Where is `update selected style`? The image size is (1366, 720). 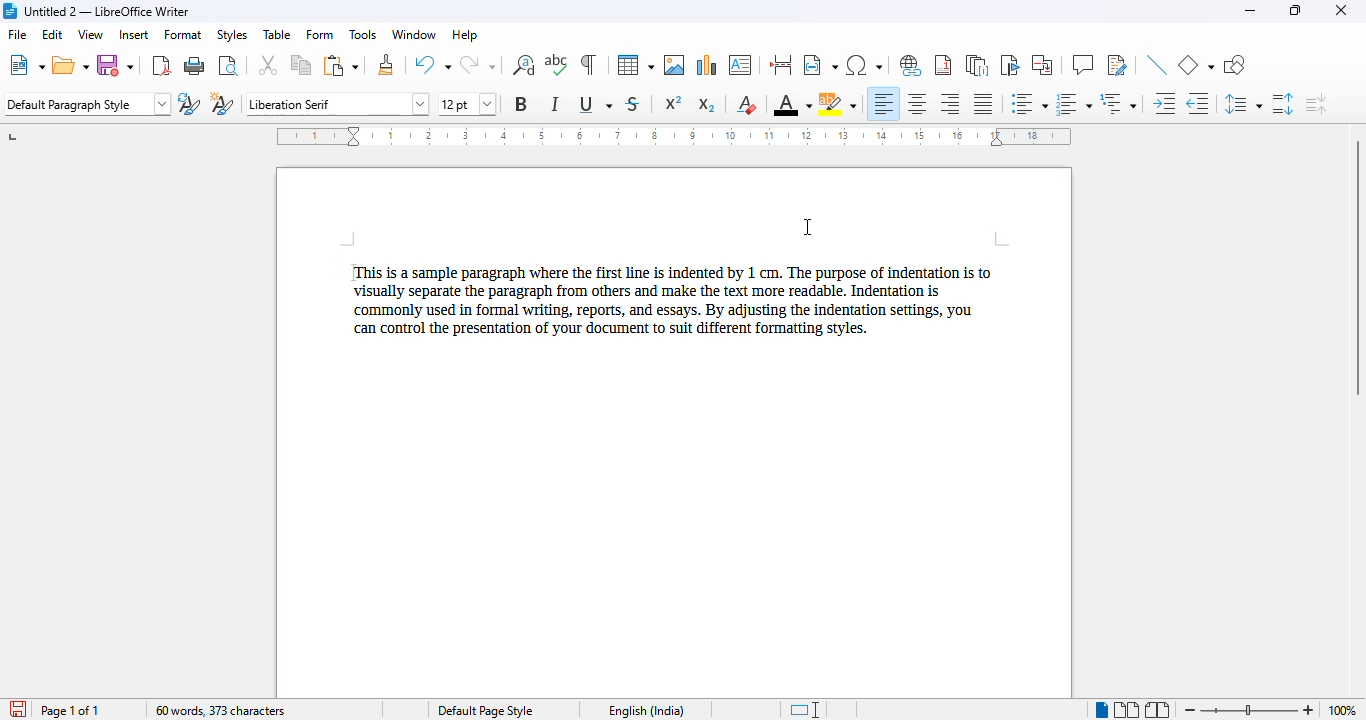 update selected style is located at coordinates (189, 103).